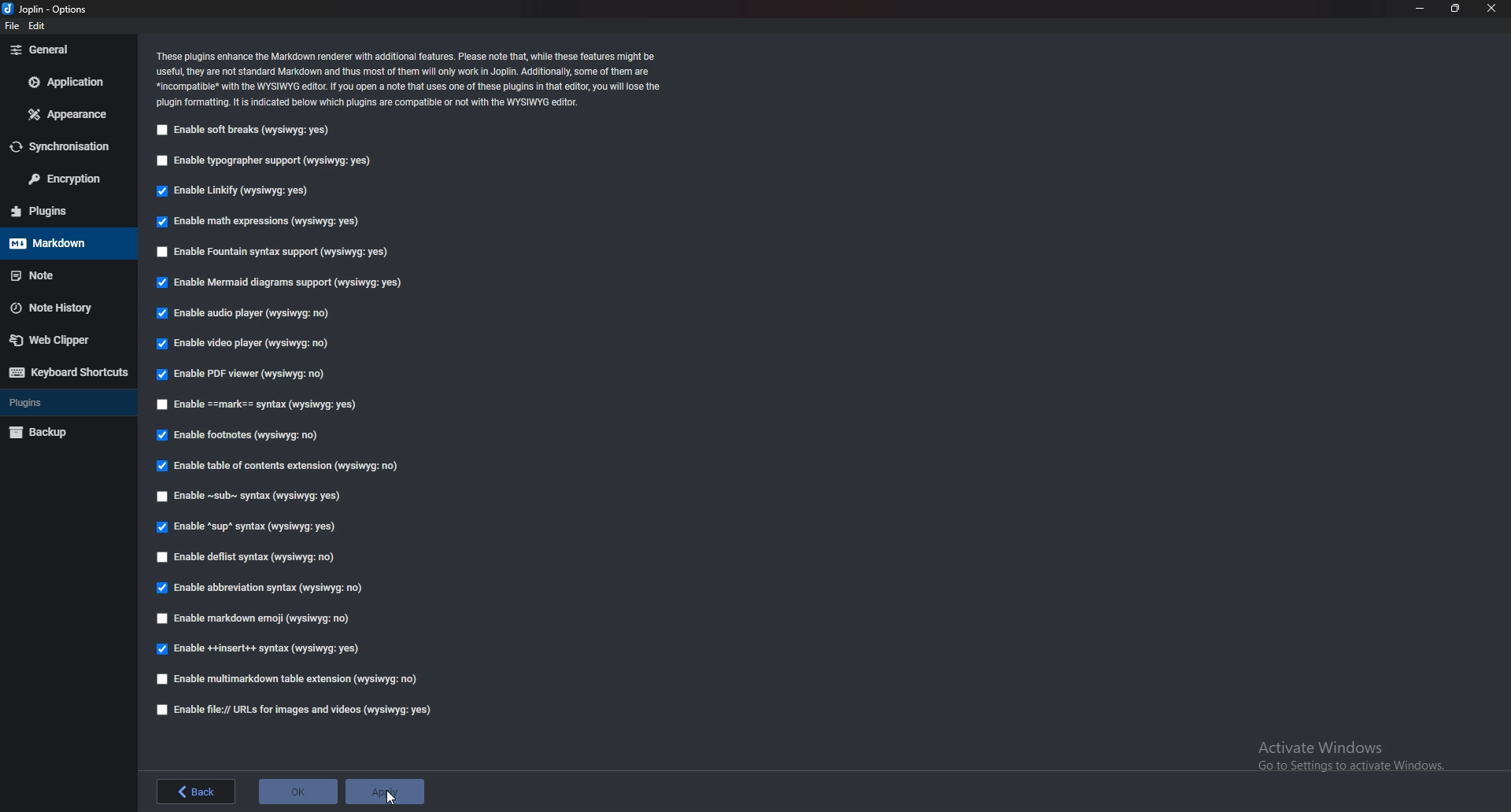 Image resolution: width=1511 pixels, height=812 pixels. I want to click on Enable video player, so click(243, 341).